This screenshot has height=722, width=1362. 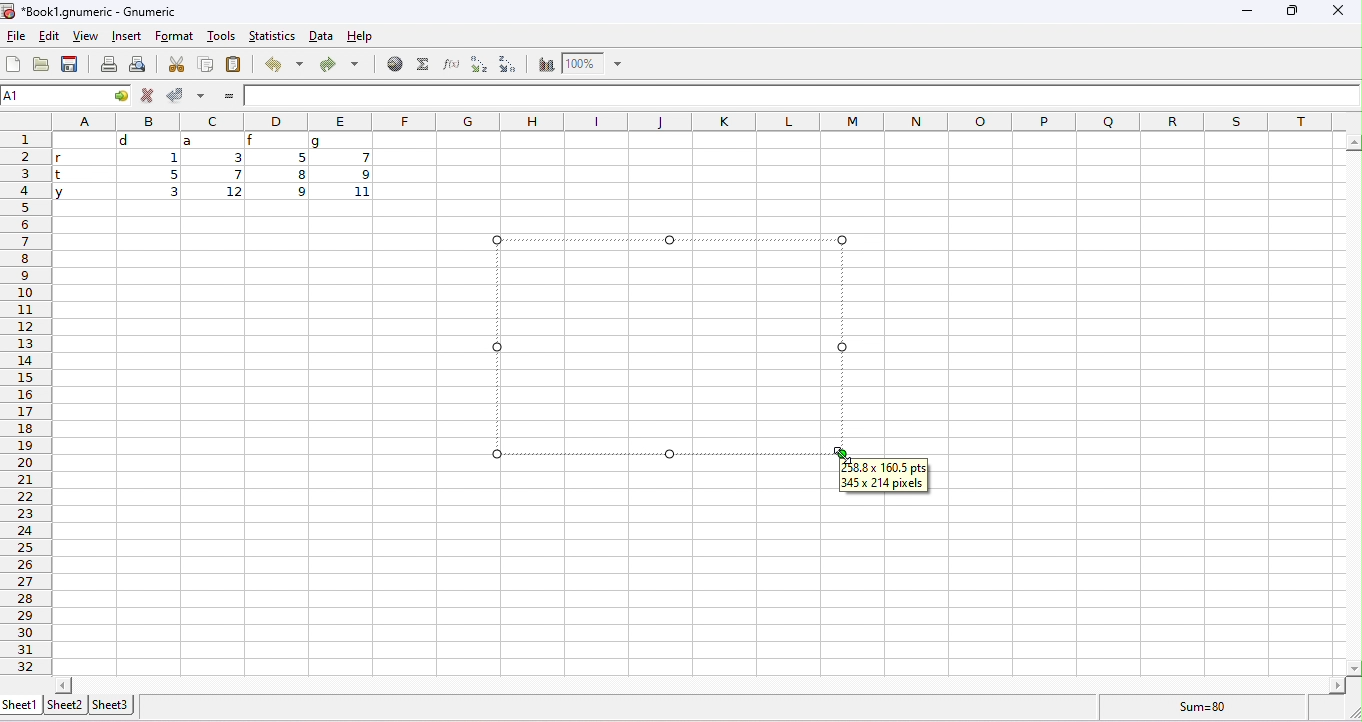 What do you see at coordinates (20, 704) in the screenshot?
I see `sheet1` at bounding box center [20, 704].